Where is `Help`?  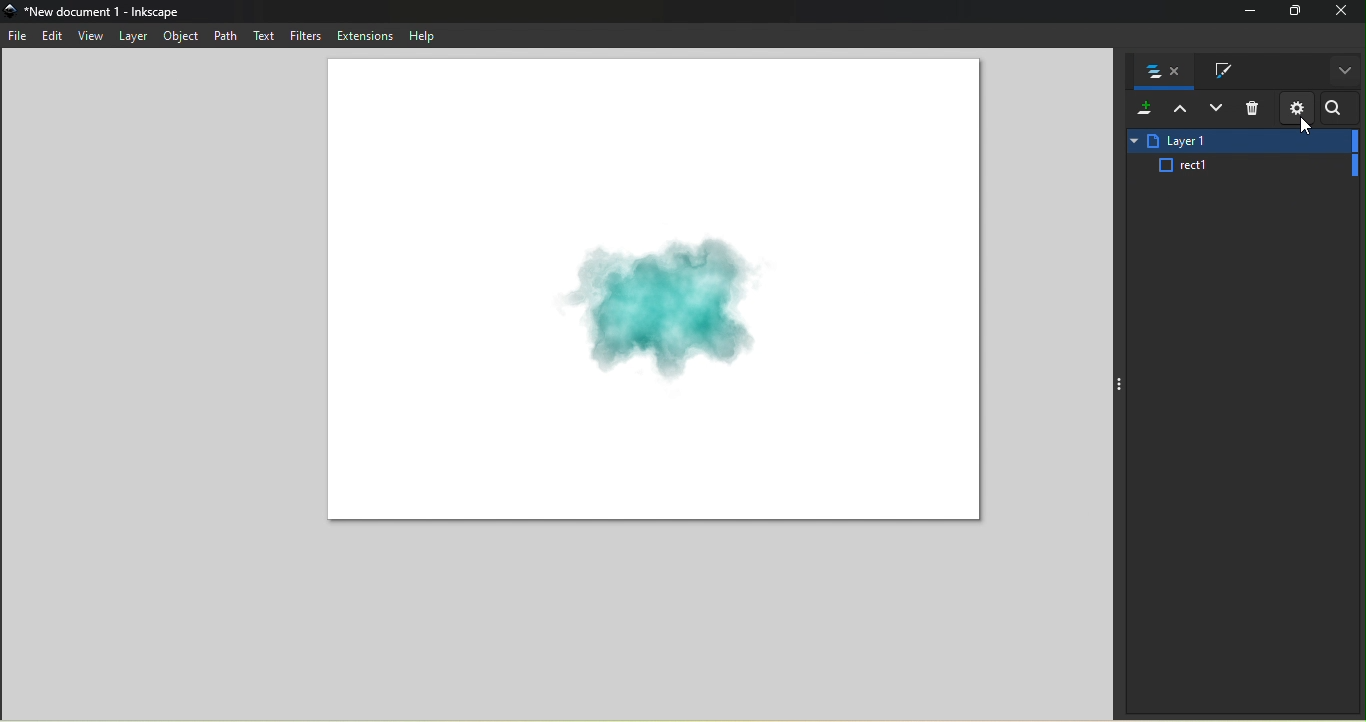 Help is located at coordinates (419, 35).